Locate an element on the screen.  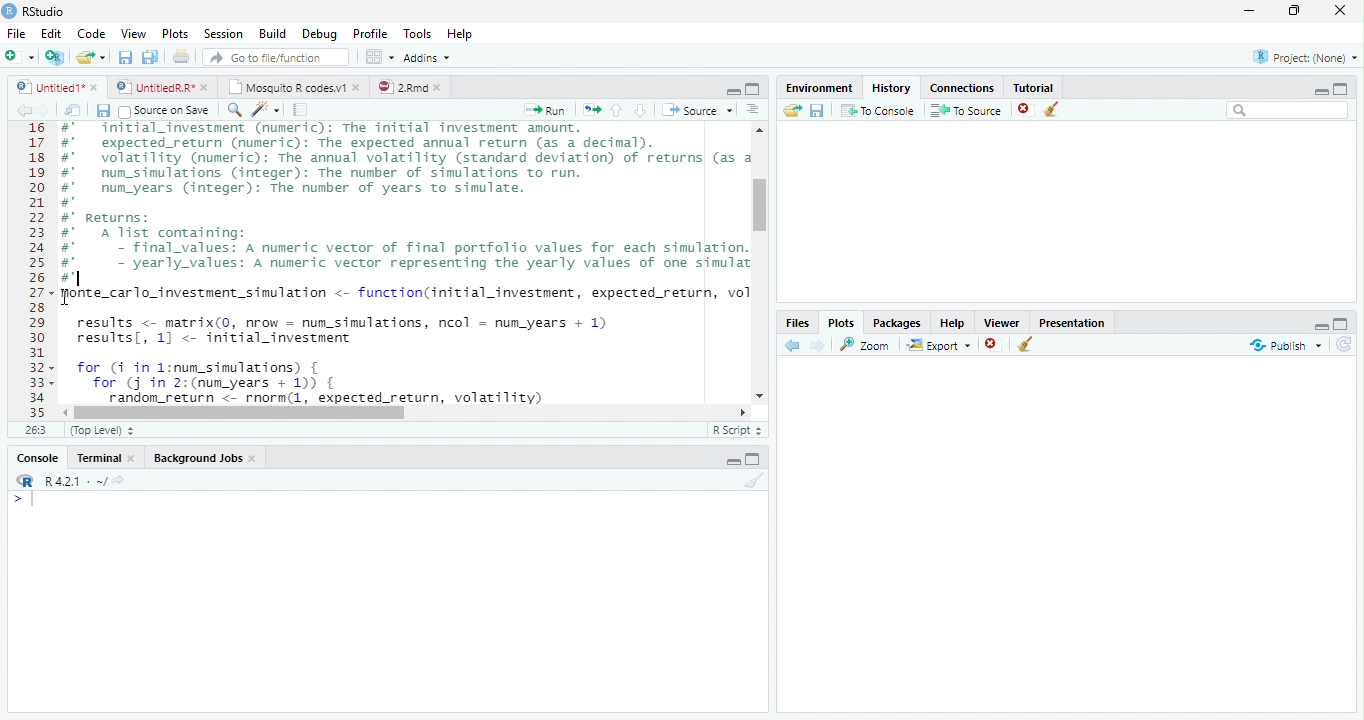
publish is located at coordinates (1285, 345).